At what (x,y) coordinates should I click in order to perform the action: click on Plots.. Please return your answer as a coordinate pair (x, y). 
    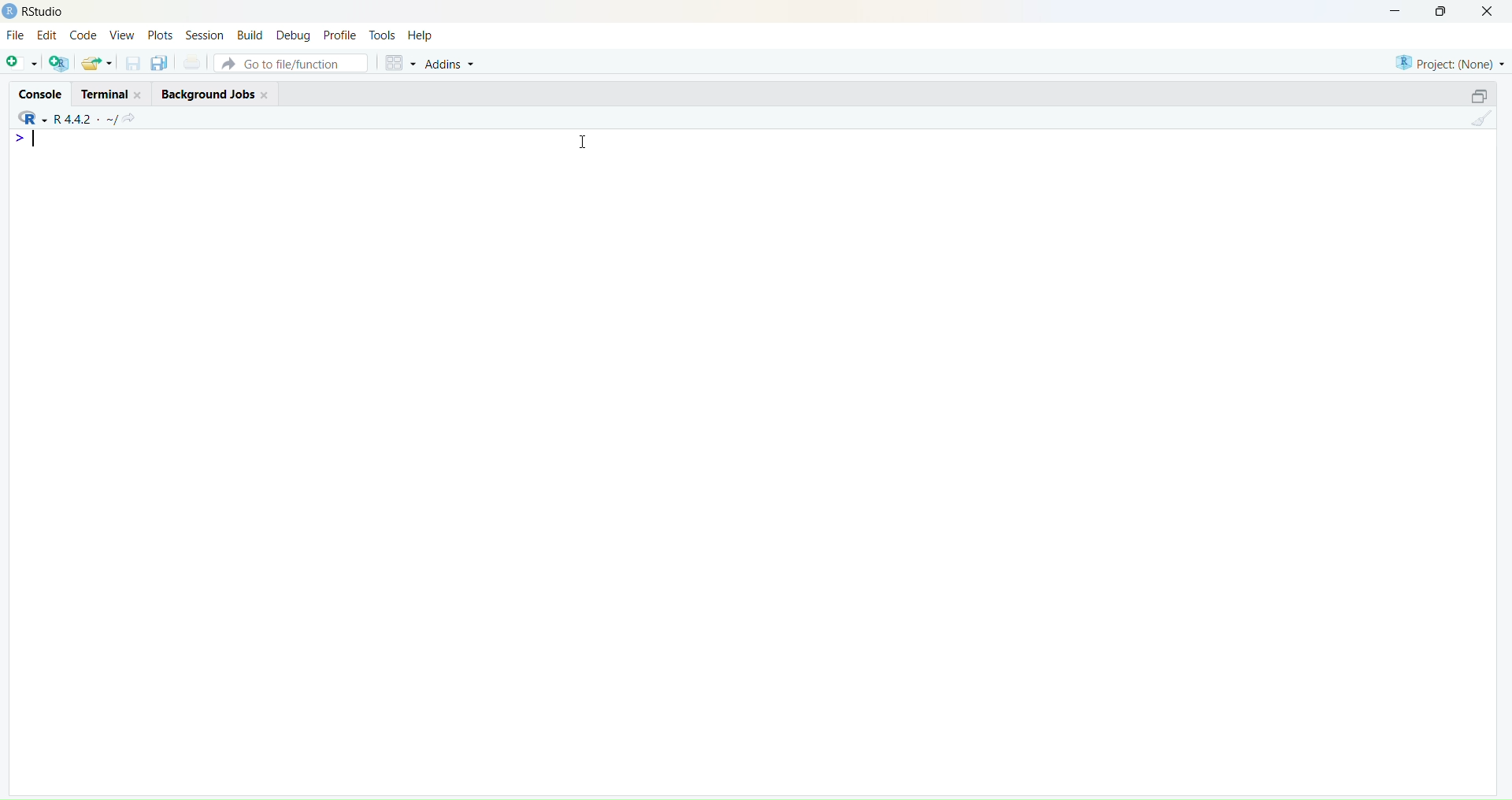
    Looking at the image, I should click on (161, 35).